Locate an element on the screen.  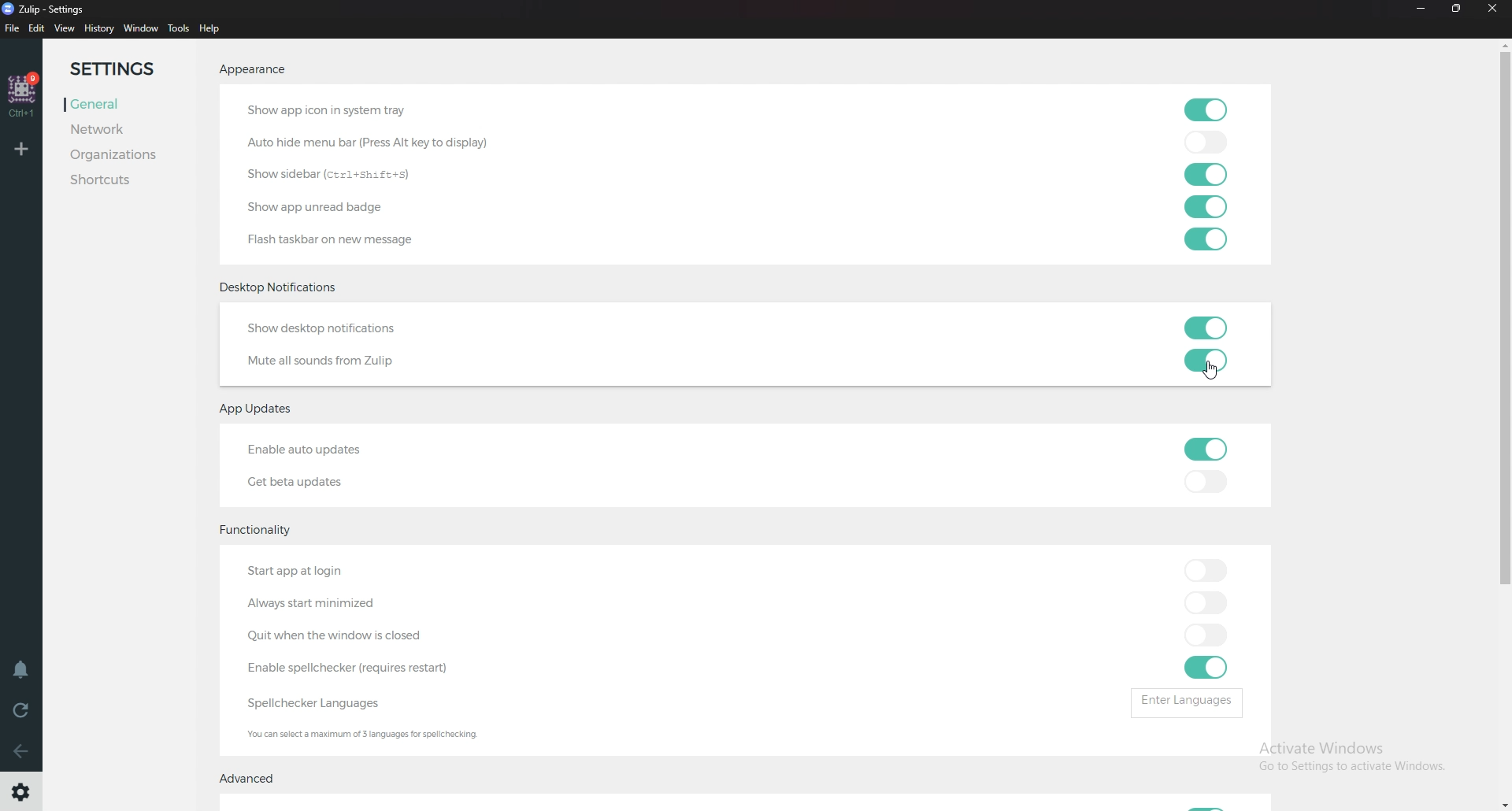
Resize is located at coordinates (1457, 9).